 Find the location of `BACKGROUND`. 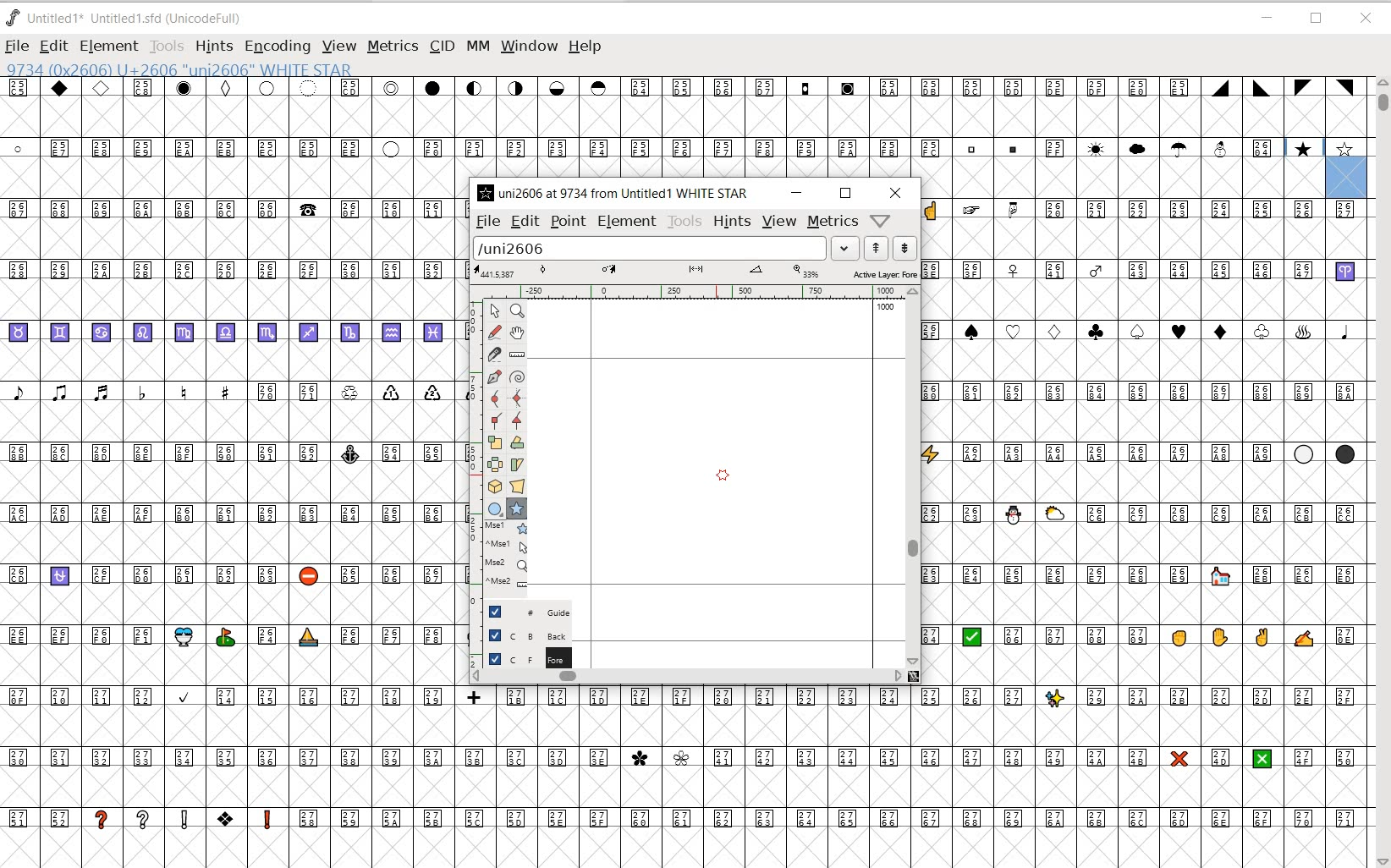

BACKGROUND is located at coordinates (521, 635).